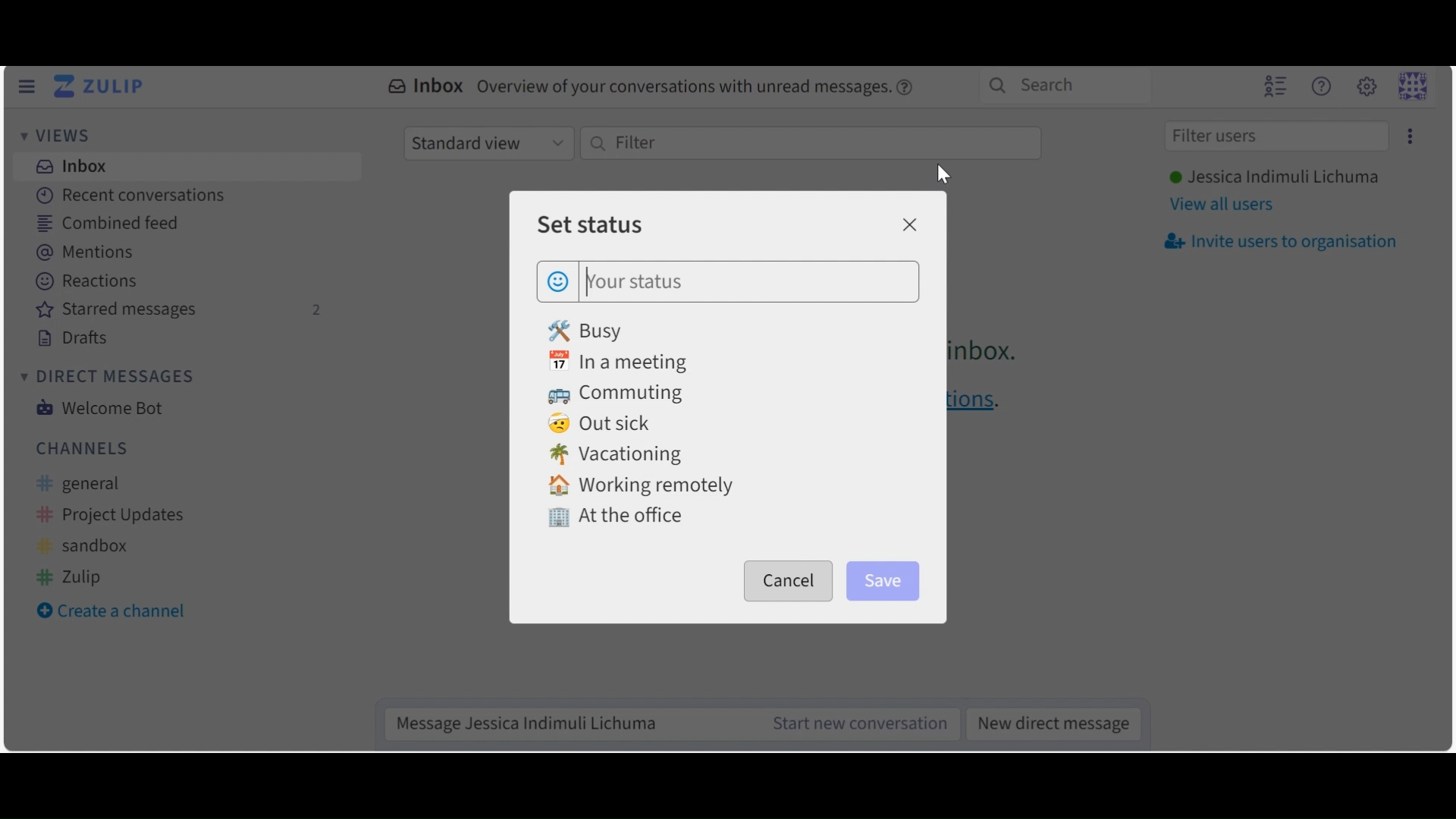 The width and height of the screenshot is (1456, 819). Describe the element at coordinates (641, 486) in the screenshot. I see `Working remotely` at that location.